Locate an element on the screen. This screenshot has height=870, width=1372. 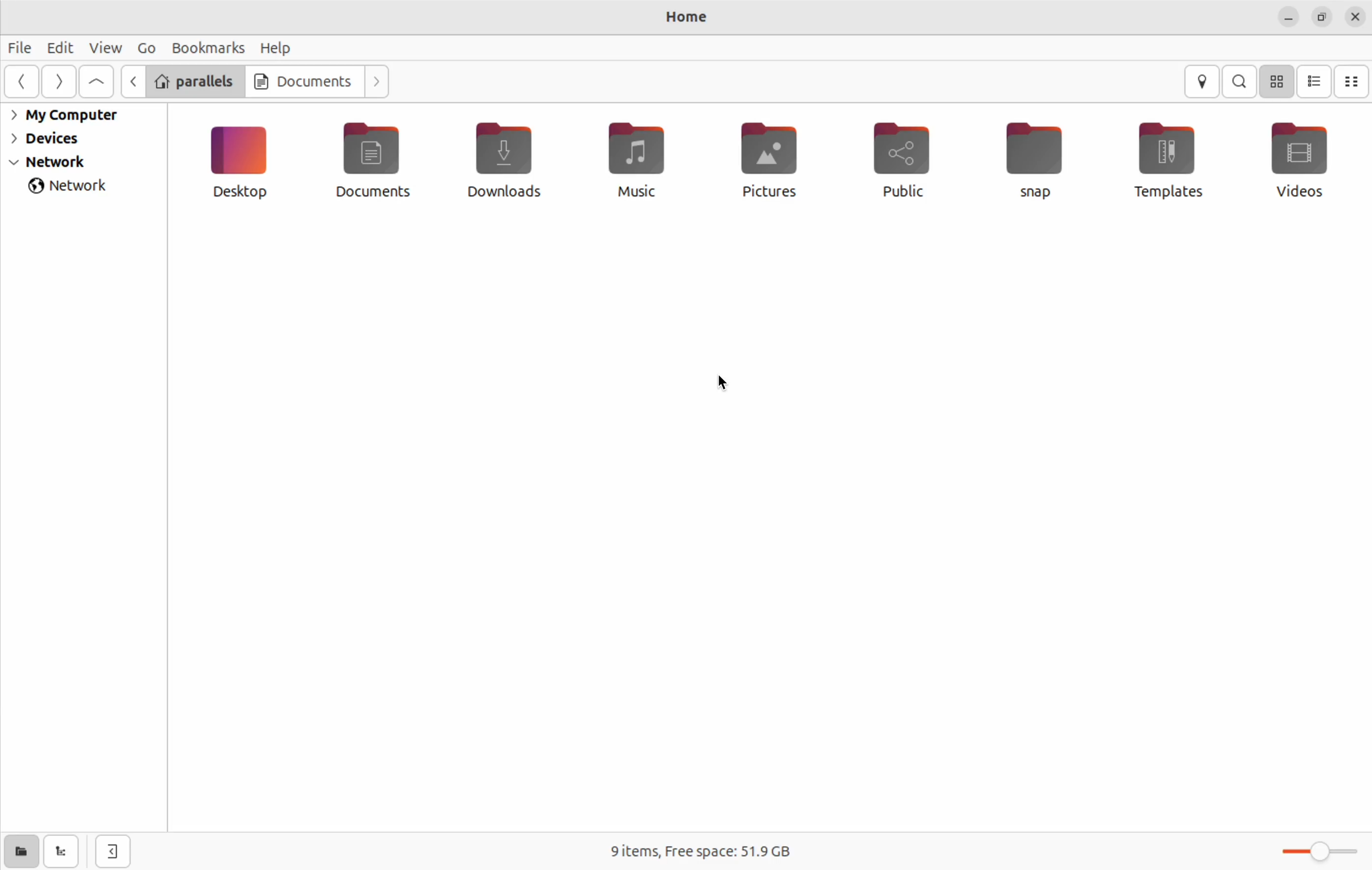
next  is located at coordinates (59, 83).